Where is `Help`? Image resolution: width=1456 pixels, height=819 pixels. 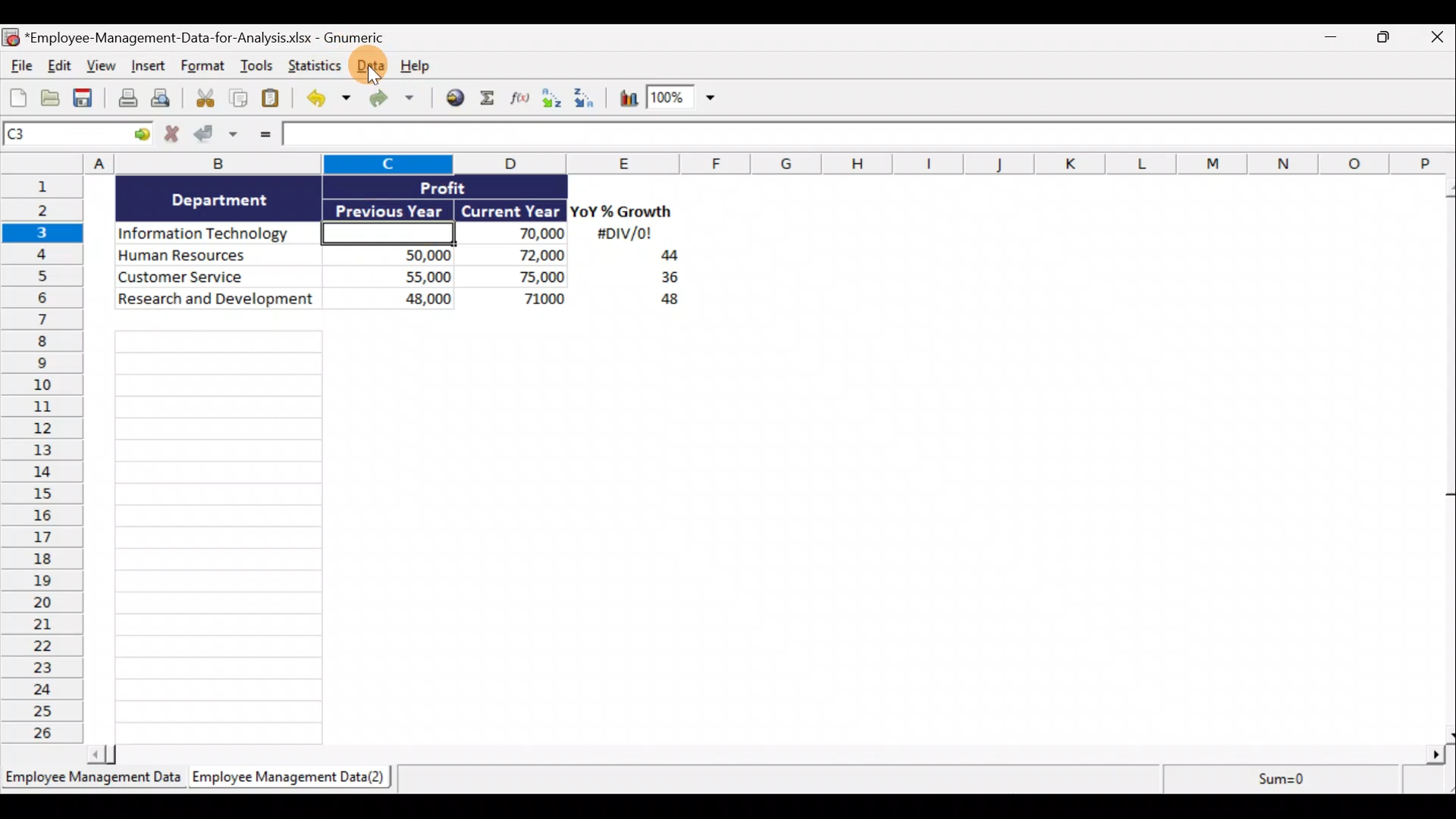
Help is located at coordinates (420, 64).